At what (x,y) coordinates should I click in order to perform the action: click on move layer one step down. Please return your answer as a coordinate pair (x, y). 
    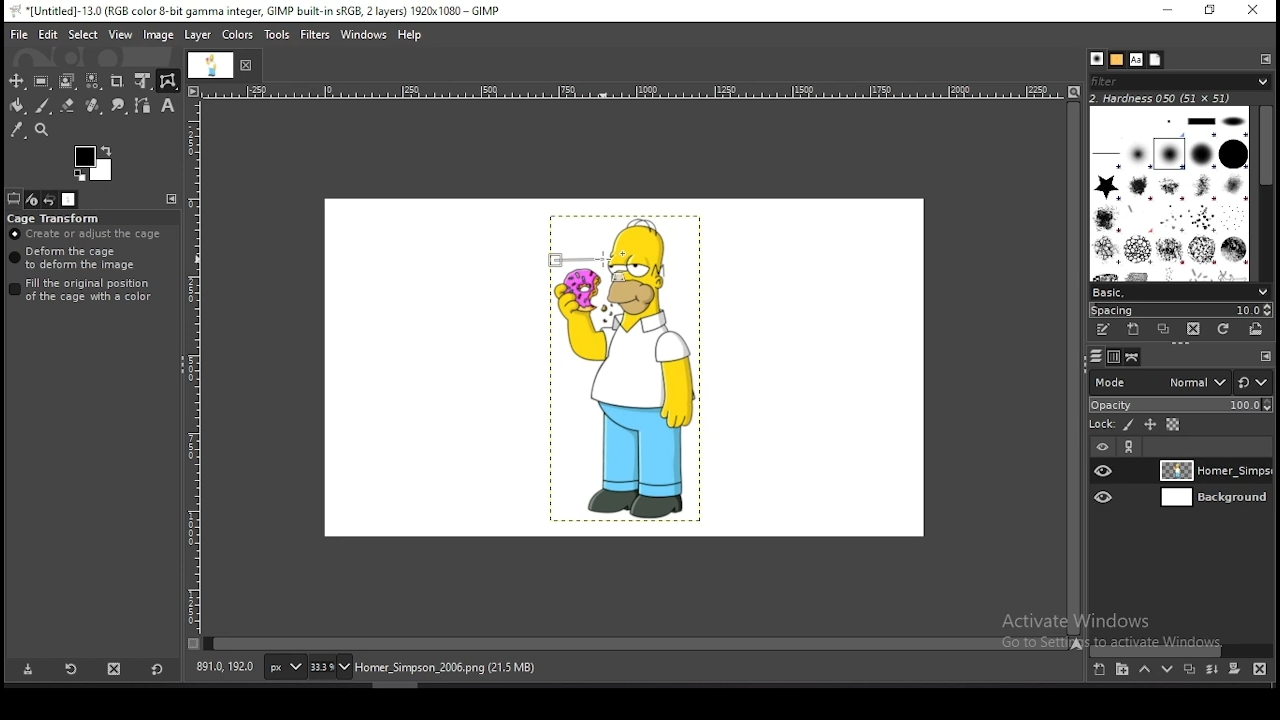
    Looking at the image, I should click on (1168, 671).